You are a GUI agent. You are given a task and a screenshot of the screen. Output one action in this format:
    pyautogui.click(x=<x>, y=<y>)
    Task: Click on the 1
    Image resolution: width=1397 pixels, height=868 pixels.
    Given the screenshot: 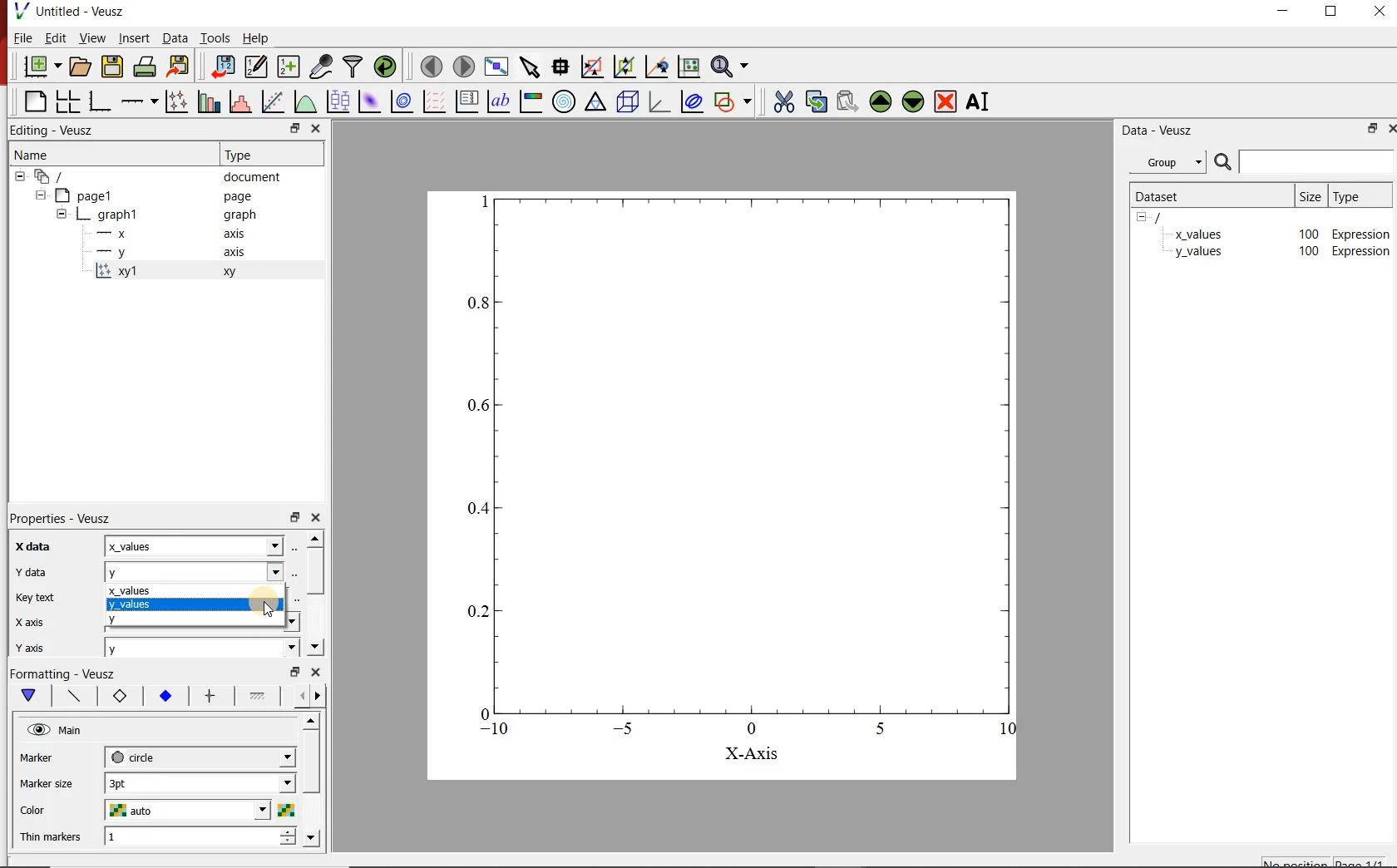 What is the action you would take?
    pyautogui.click(x=203, y=835)
    